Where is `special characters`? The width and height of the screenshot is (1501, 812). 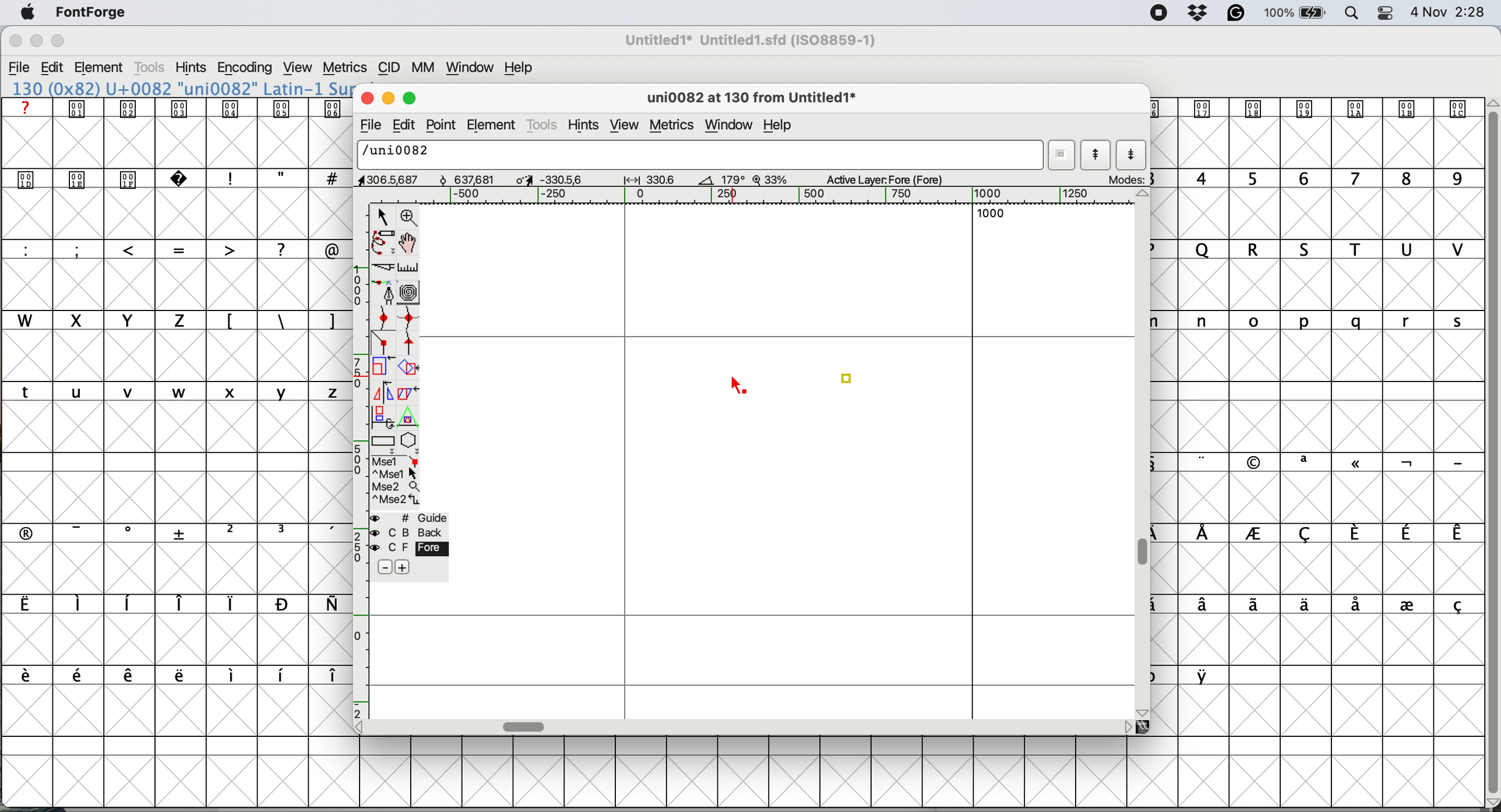
special characters is located at coordinates (177, 249).